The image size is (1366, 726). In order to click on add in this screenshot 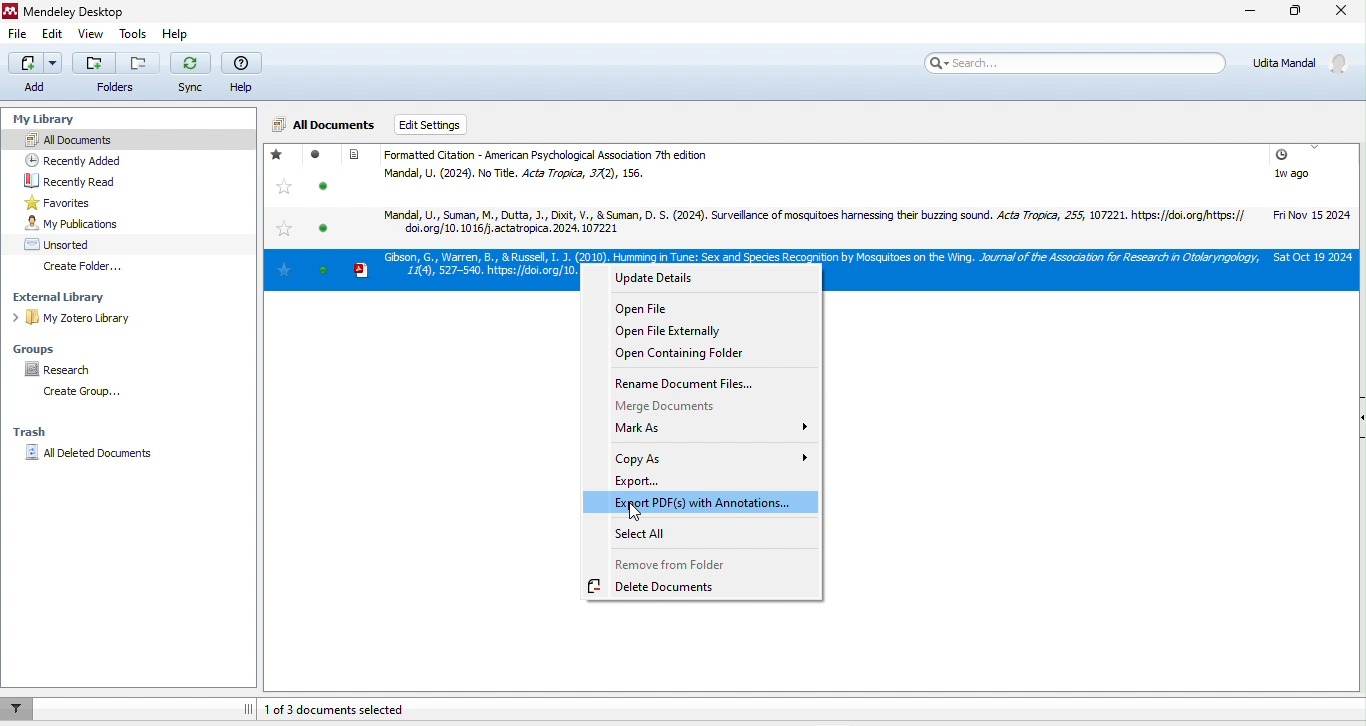, I will do `click(35, 75)`.